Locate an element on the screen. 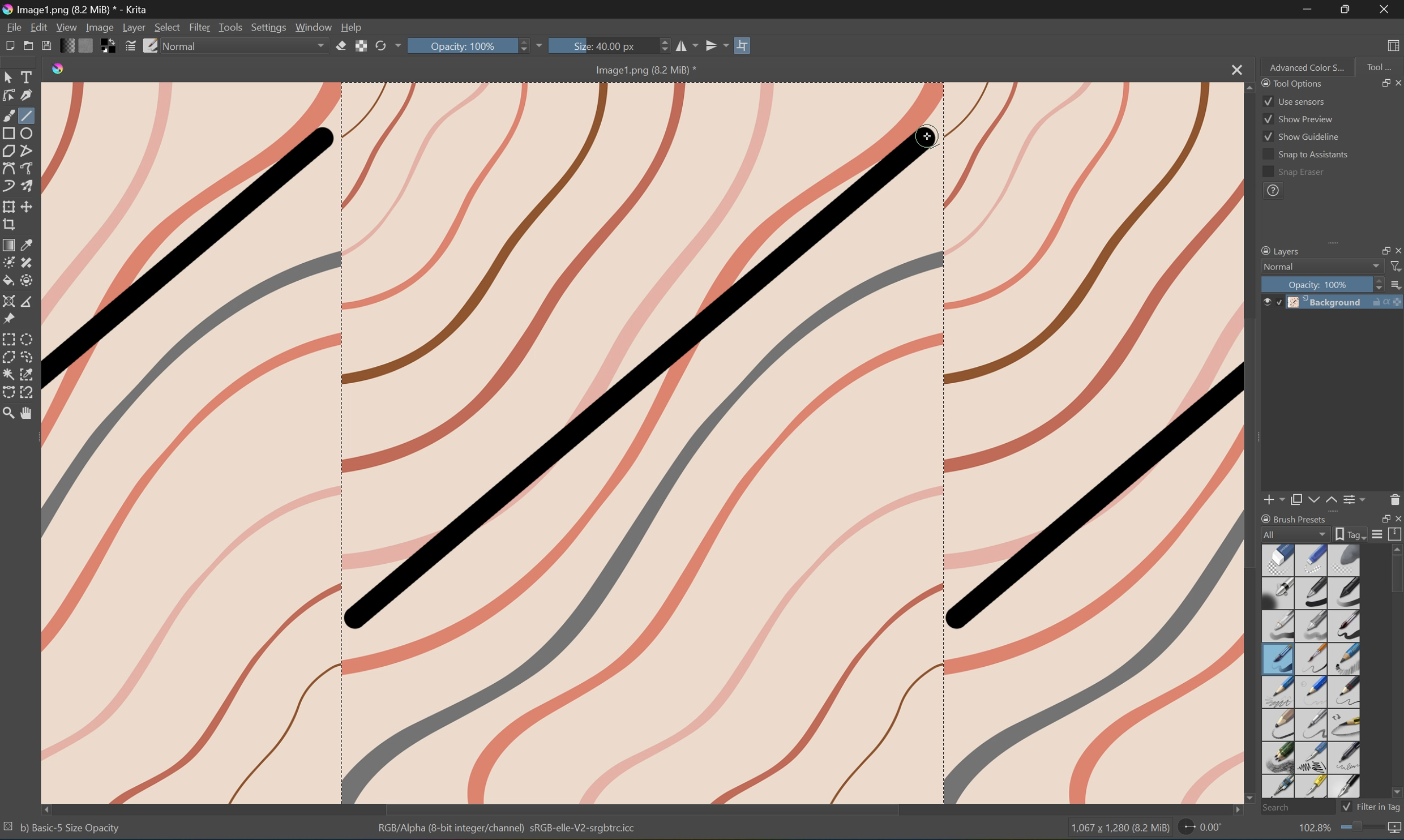  Slider is located at coordinates (1362, 827).